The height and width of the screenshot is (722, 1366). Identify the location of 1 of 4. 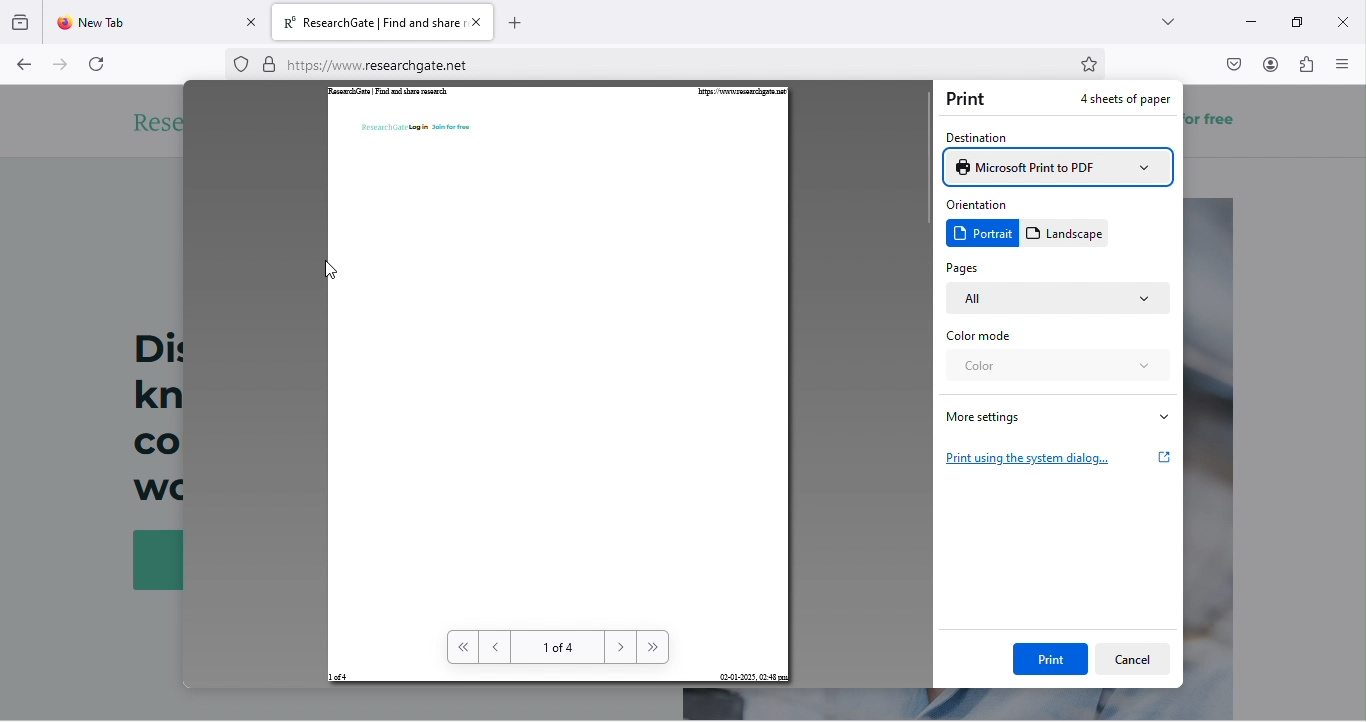
(558, 646).